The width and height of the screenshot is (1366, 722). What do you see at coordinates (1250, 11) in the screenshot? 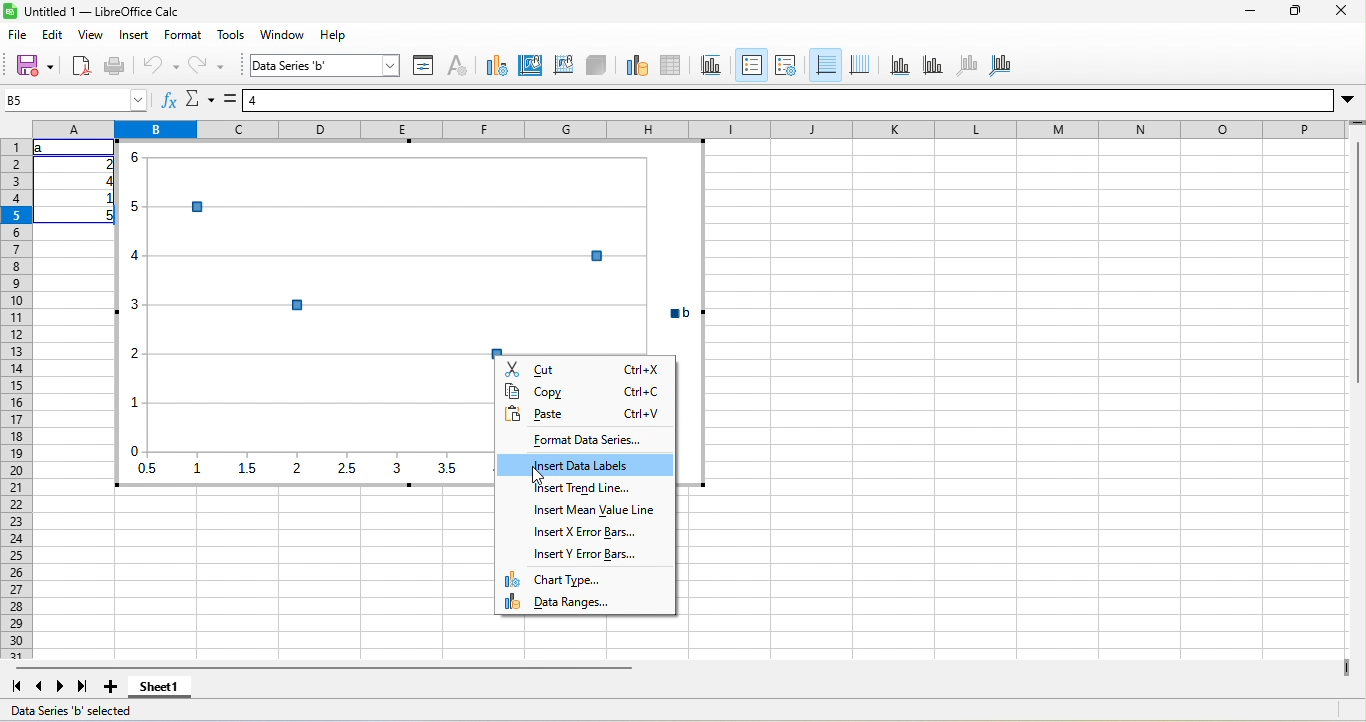
I see `minimize` at bounding box center [1250, 11].